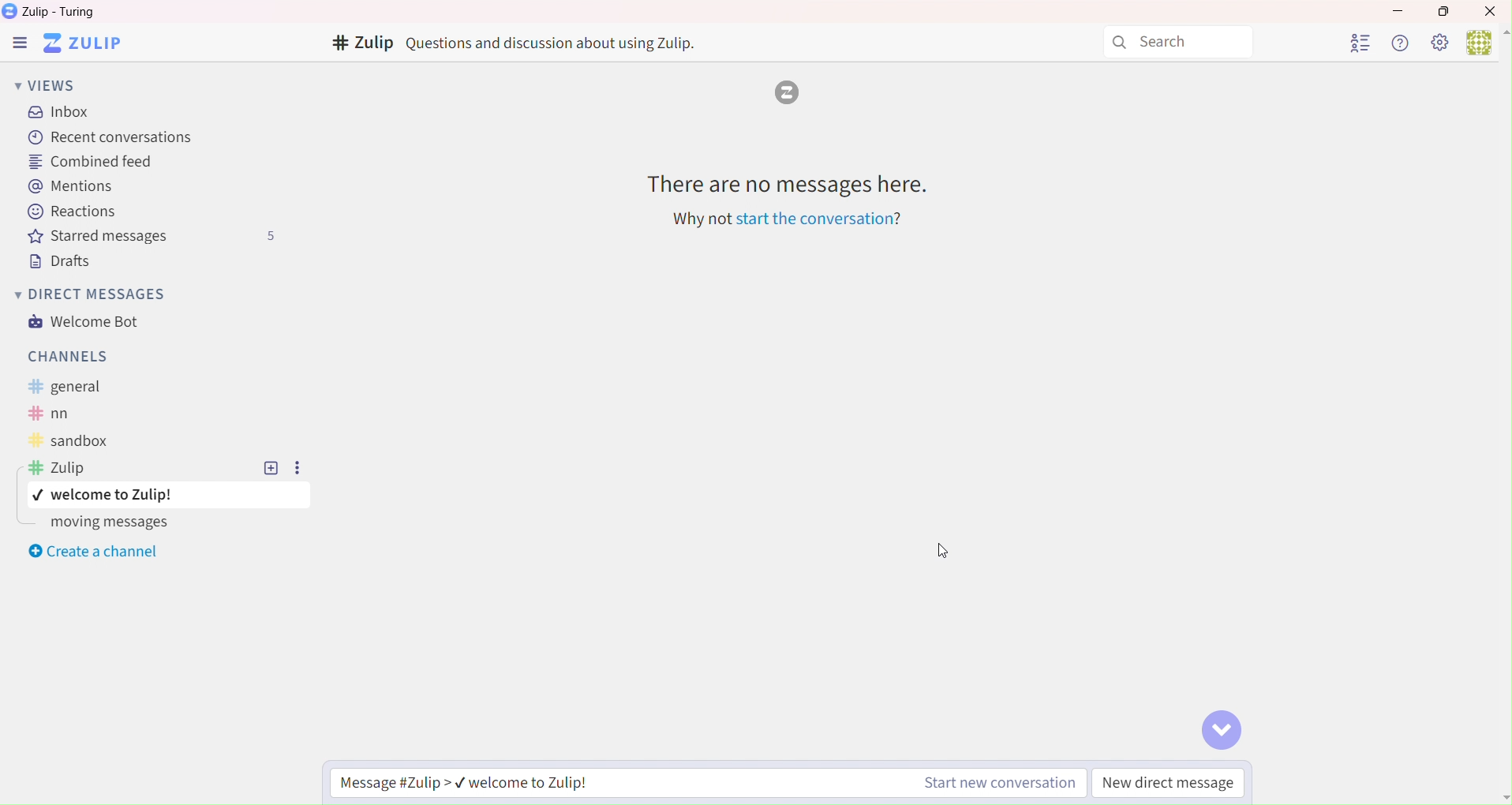 Image resolution: width=1512 pixels, height=805 pixels. What do you see at coordinates (1476, 47) in the screenshot?
I see `user` at bounding box center [1476, 47].